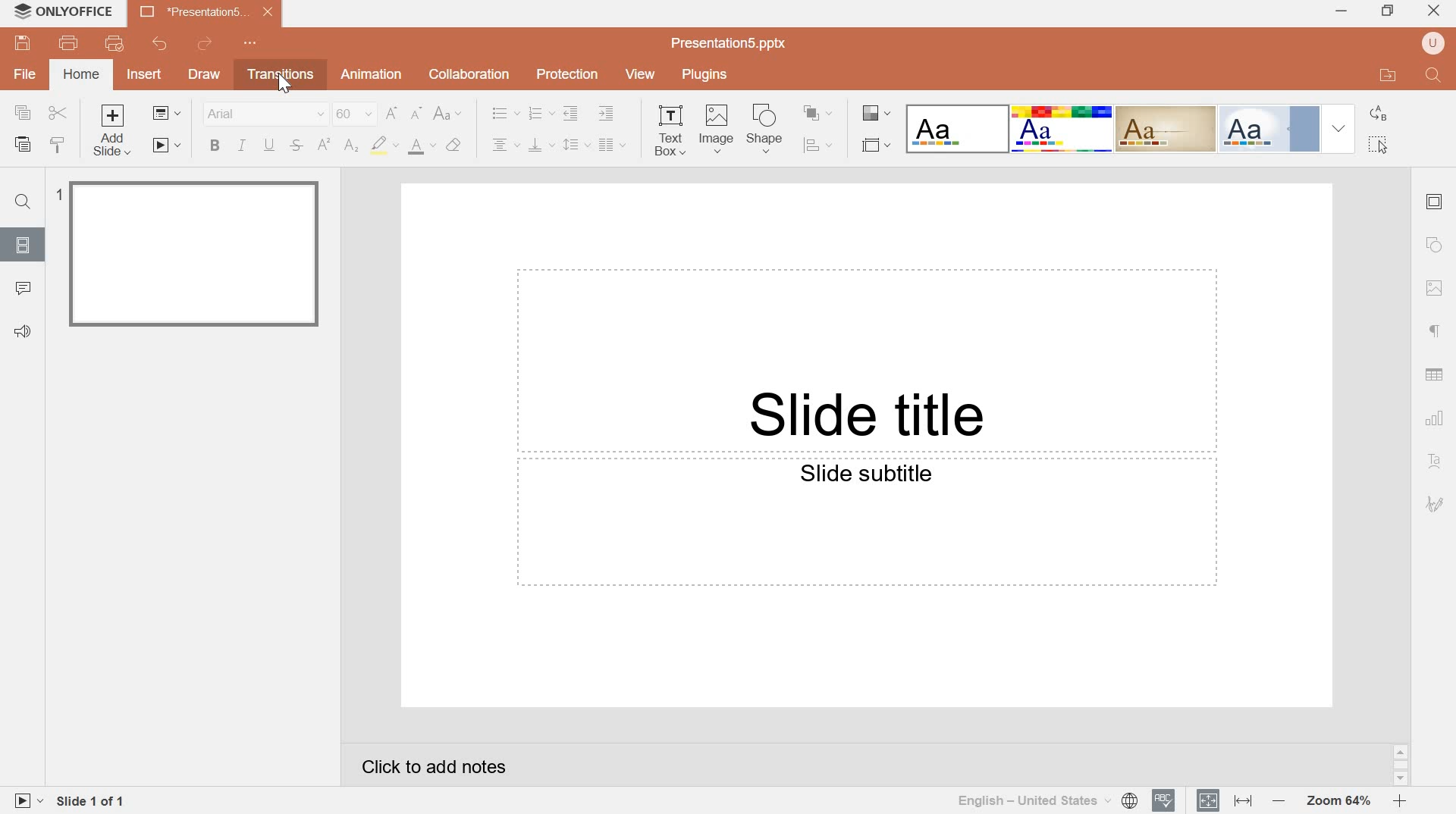 Image resolution: width=1456 pixels, height=814 pixels. Describe the element at coordinates (206, 11) in the screenshot. I see `New presentation` at that location.